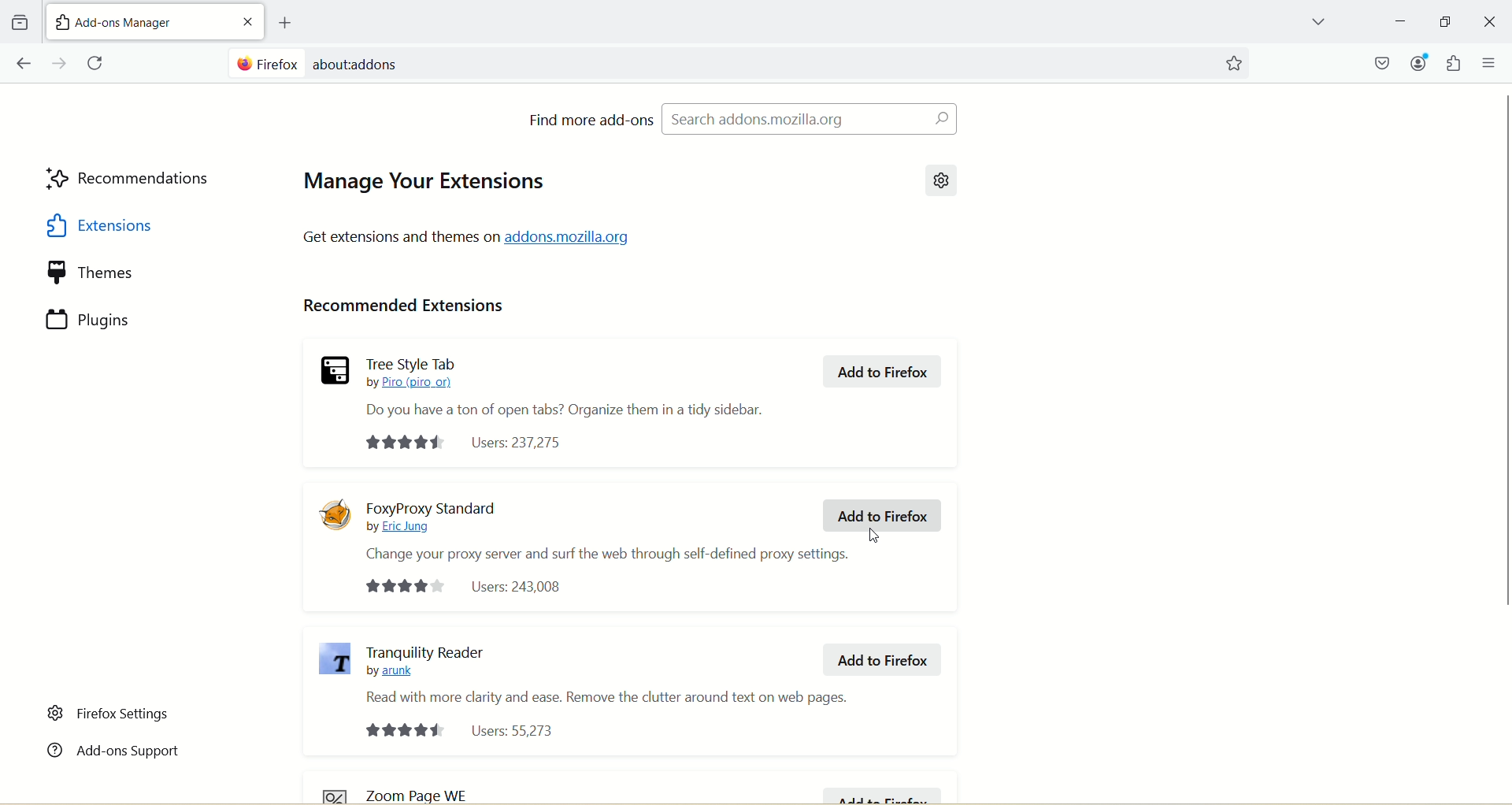 The width and height of the screenshot is (1512, 805). Describe the element at coordinates (408, 792) in the screenshot. I see `zoom page WE` at that location.